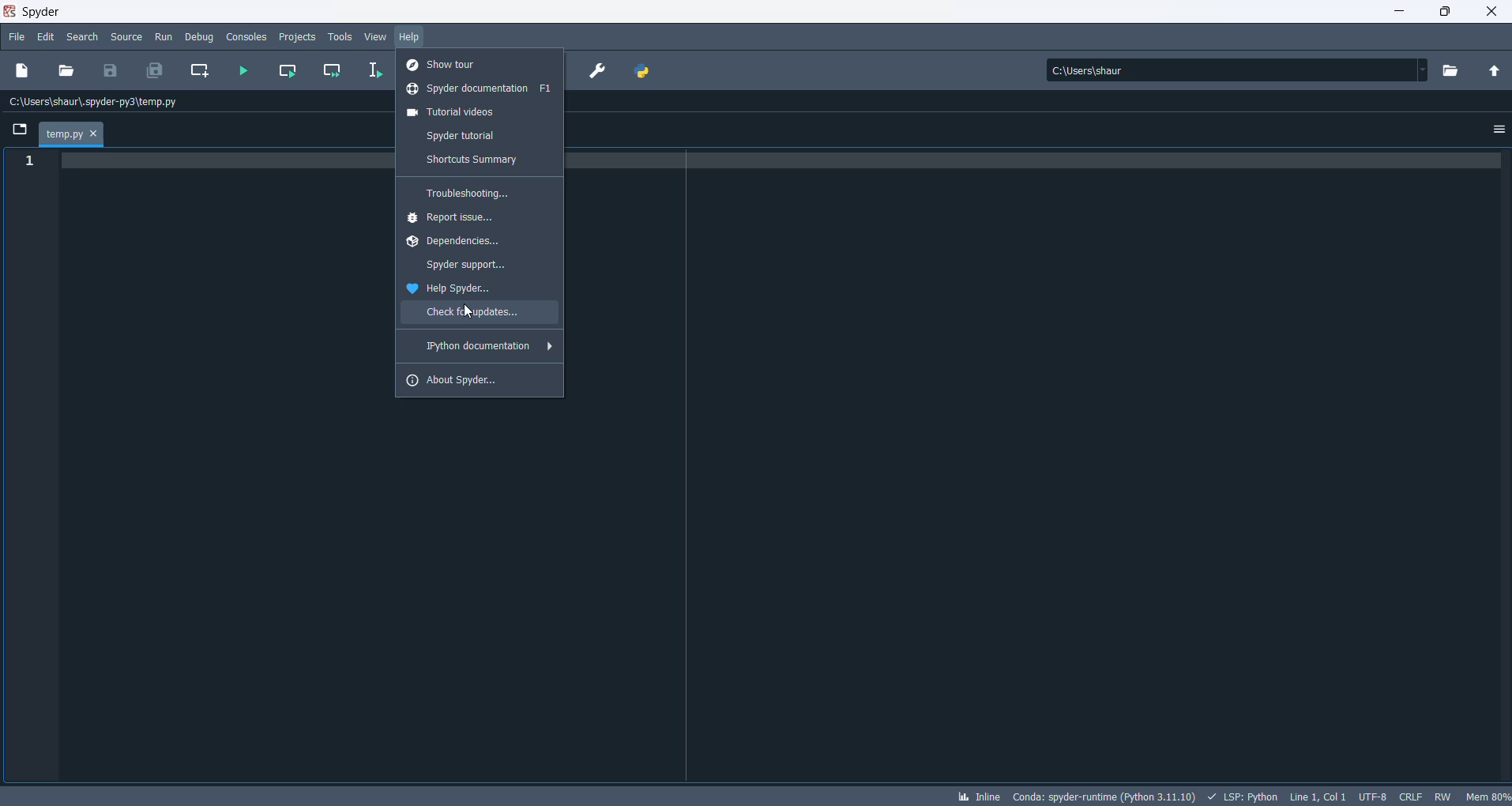 This screenshot has height=806, width=1512. What do you see at coordinates (246, 36) in the screenshot?
I see `consoles` at bounding box center [246, 36].